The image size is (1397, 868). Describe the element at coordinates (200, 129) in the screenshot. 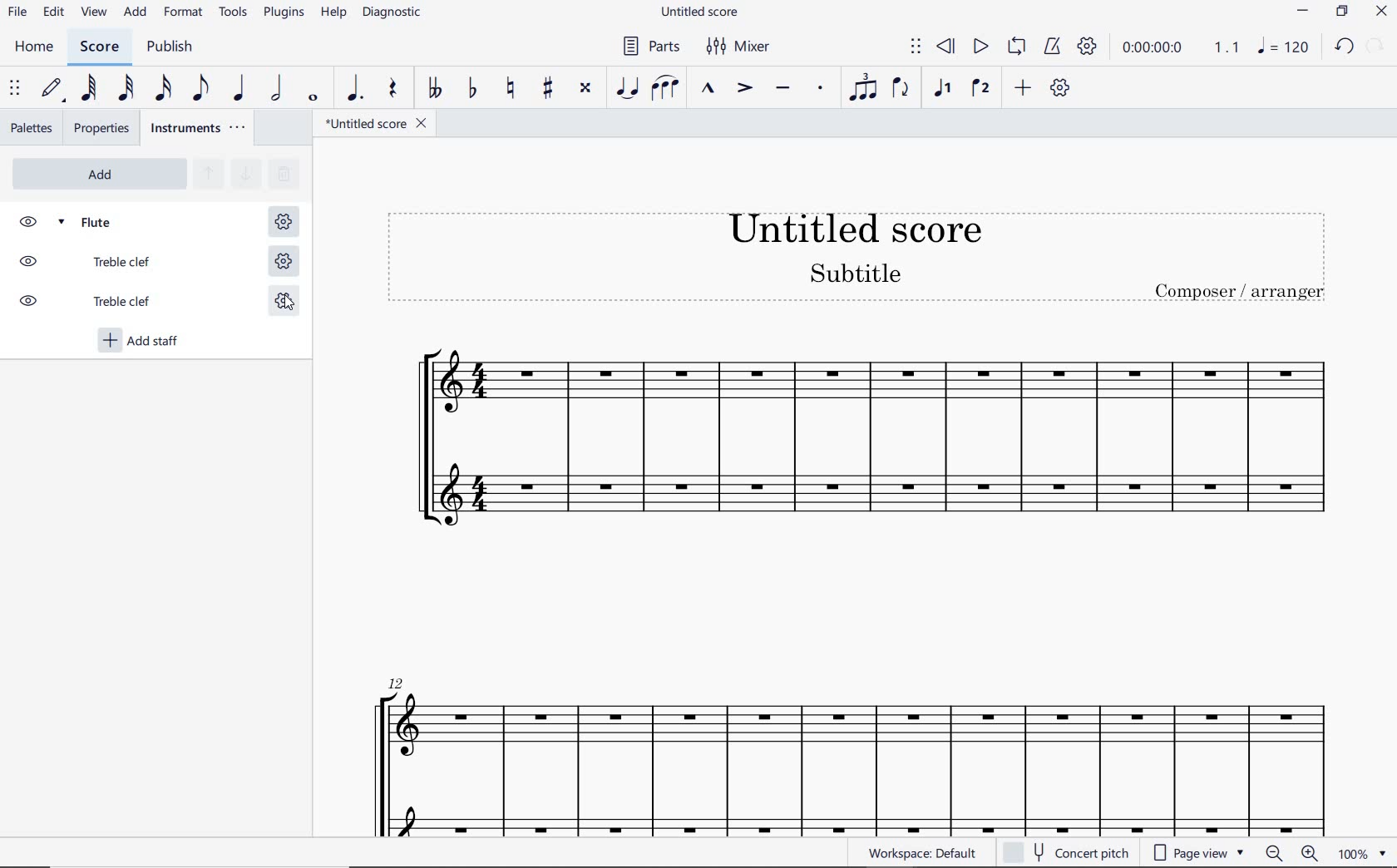

I see `INSTRUMENTS` at that location.